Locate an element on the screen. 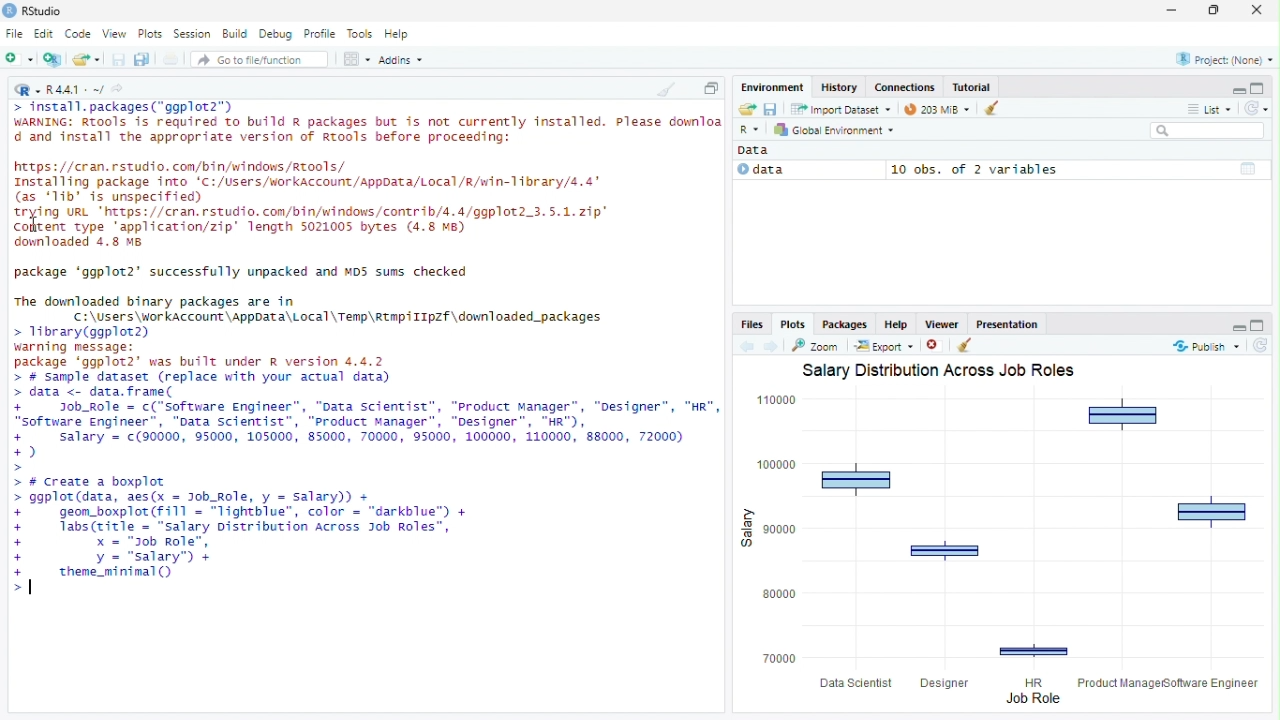 The width and height of the screenshot is (1280, 720). Tools is located at coordinates (361, 34).